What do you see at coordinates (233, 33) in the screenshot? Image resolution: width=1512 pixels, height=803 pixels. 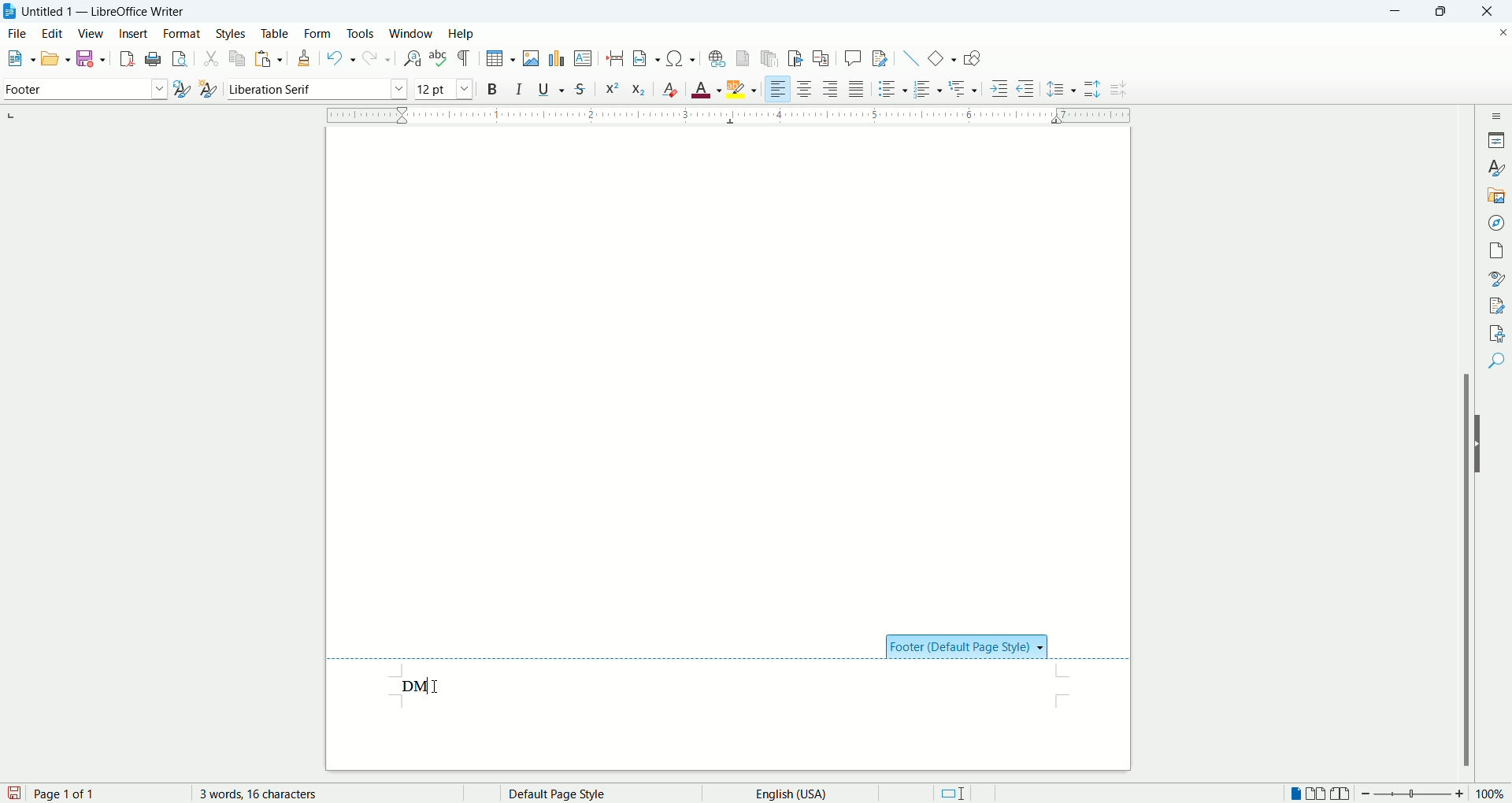 I see `styles` at bounding box center [233, 33].